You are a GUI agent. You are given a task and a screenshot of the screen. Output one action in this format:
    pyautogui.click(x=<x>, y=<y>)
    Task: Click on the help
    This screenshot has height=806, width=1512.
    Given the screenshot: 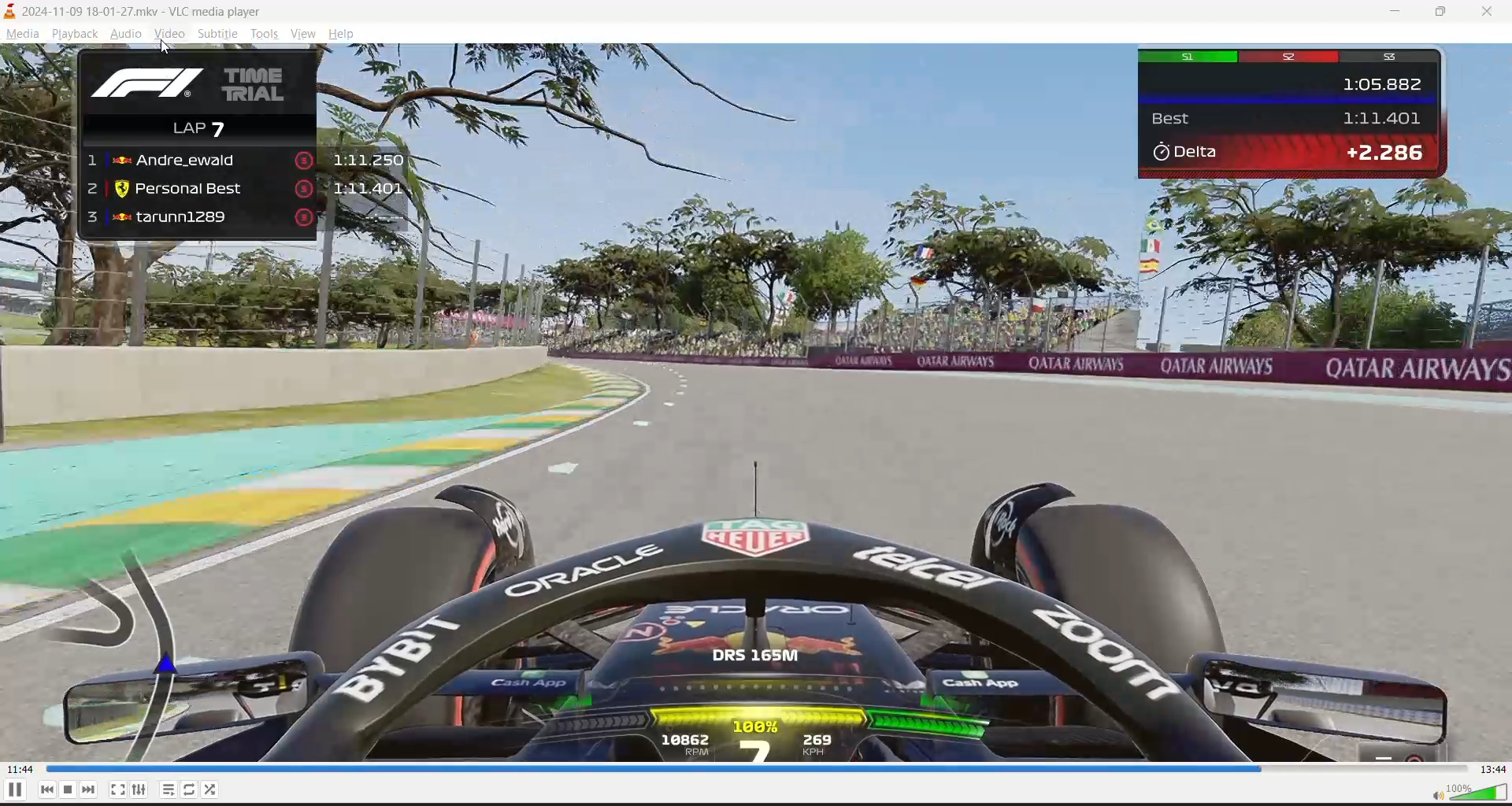 What is the action you would take?
    pyautogui.click(x=340, y=35)
    